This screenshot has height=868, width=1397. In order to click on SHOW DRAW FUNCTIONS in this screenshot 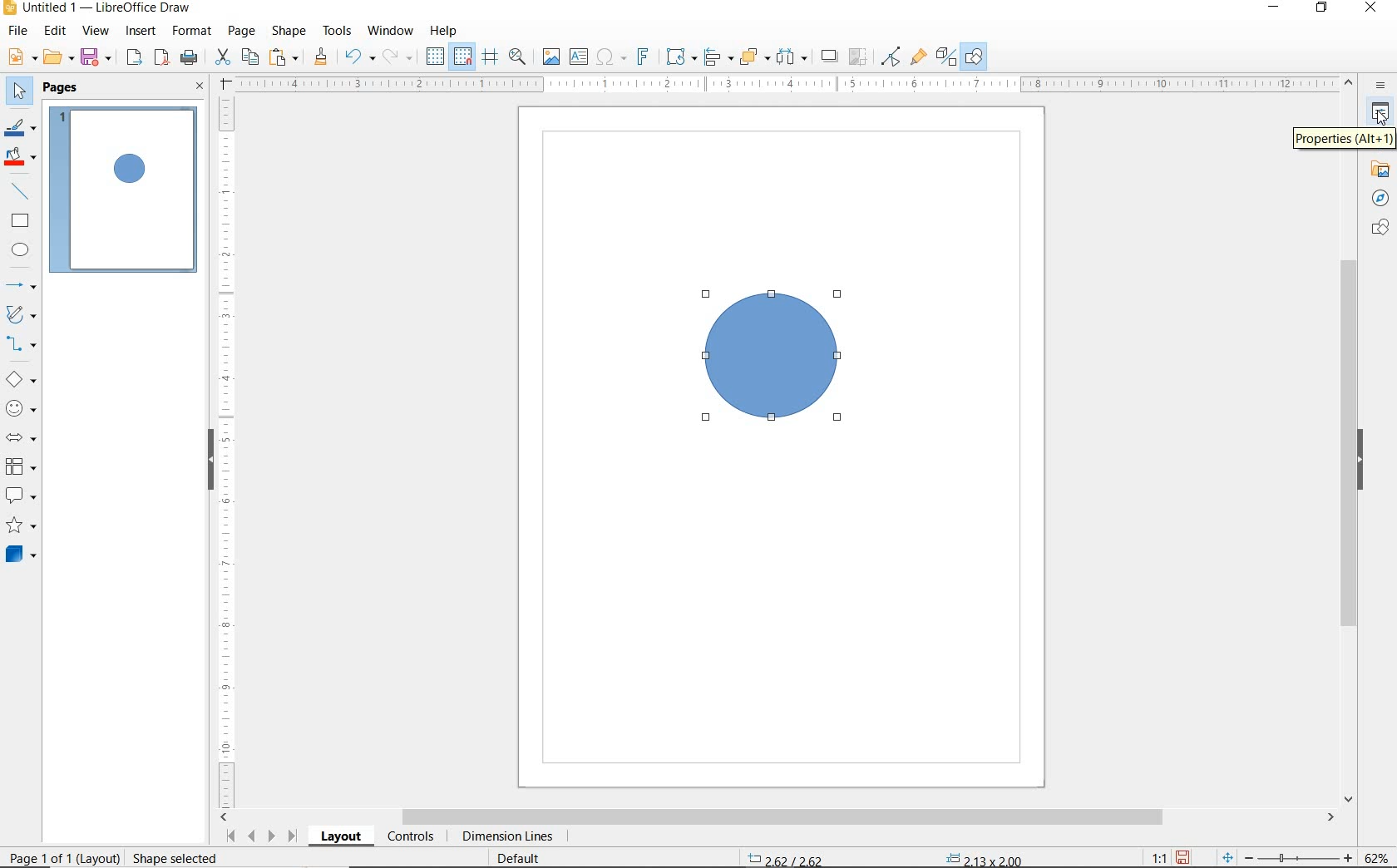, I will do `click(975, 57)`.